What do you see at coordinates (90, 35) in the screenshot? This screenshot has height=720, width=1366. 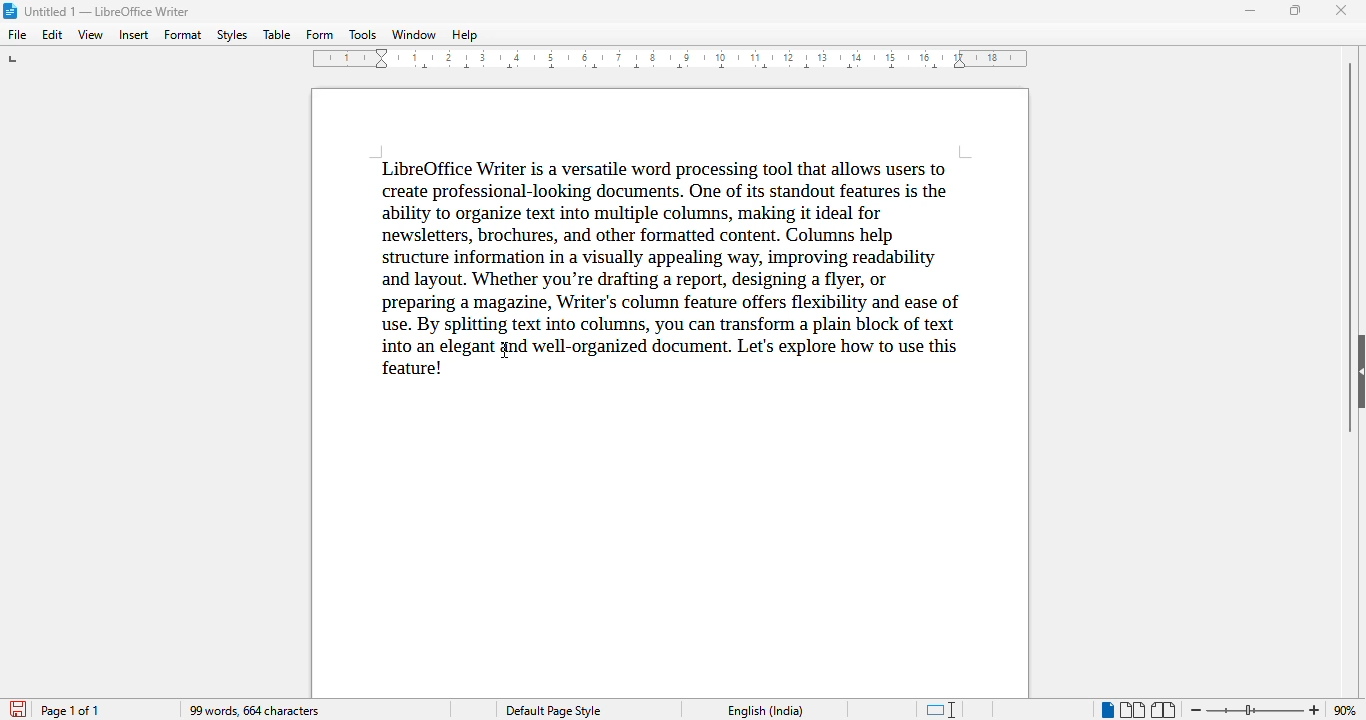 I see `view` at bounding box center [90, 35].